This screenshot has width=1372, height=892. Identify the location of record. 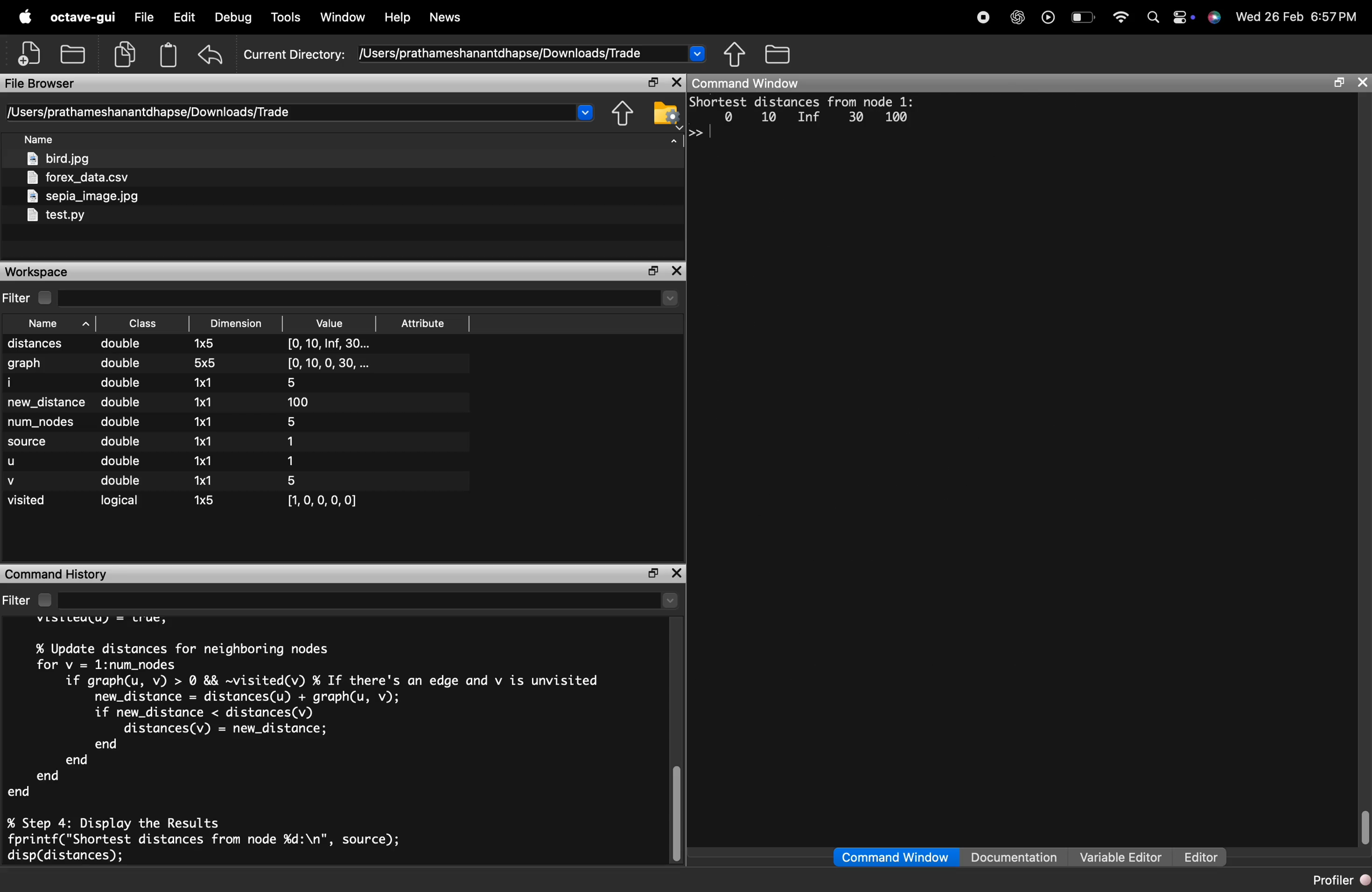
(985, 17).